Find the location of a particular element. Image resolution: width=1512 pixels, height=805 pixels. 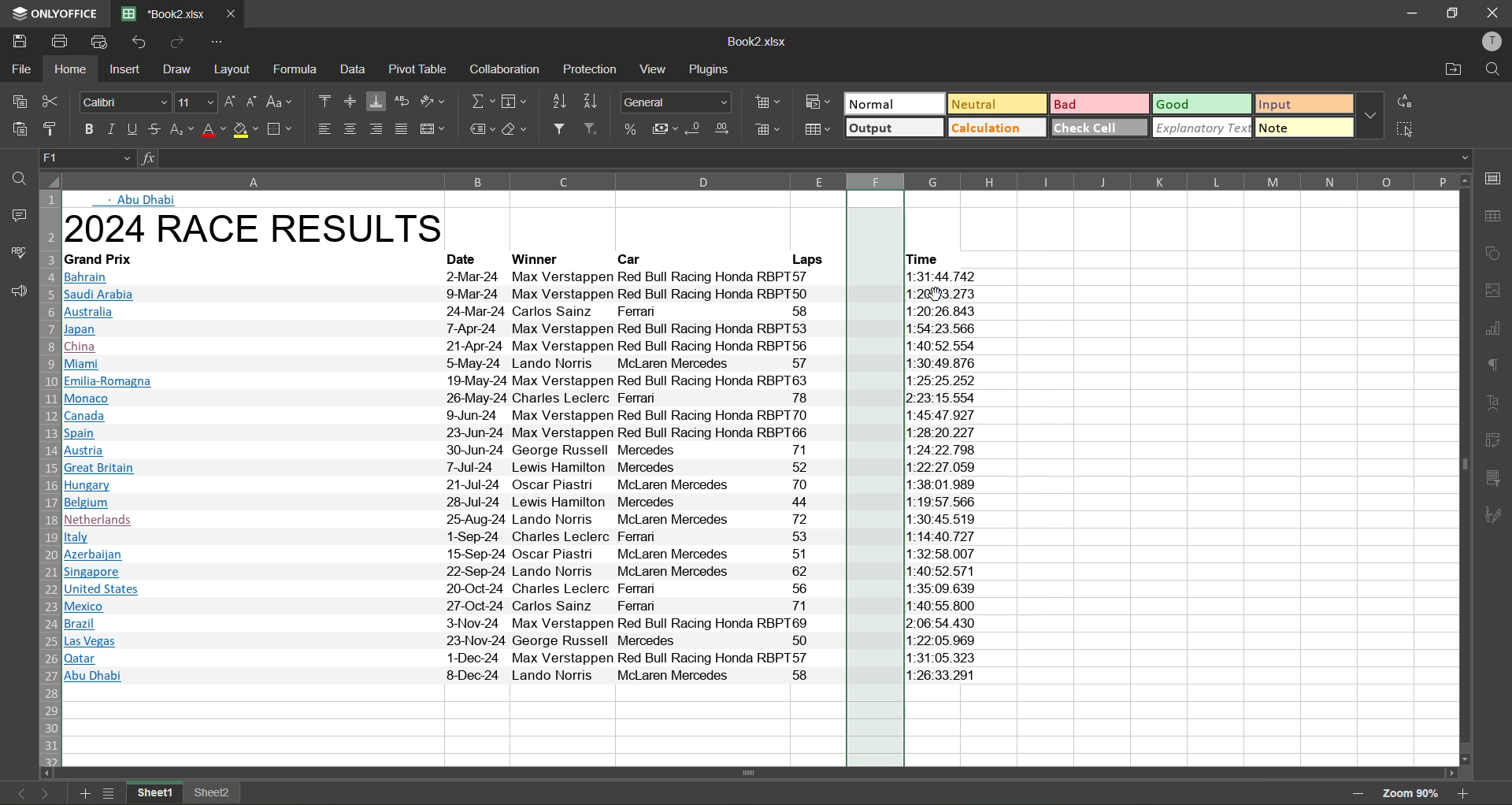

Laps is located at coordinates (805, 259).